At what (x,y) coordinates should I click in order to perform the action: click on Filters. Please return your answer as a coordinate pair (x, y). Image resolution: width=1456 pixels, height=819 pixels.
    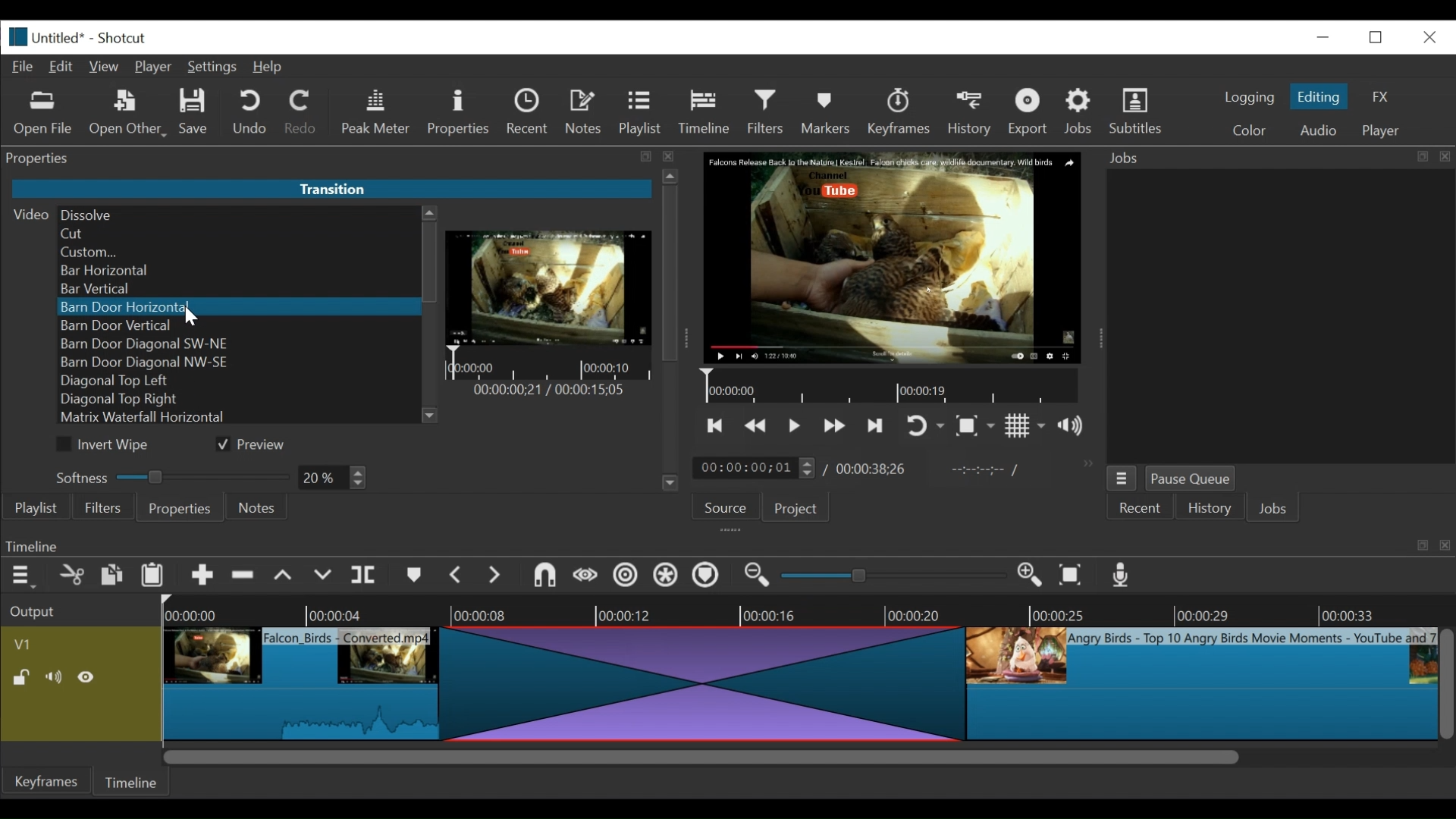
    Looking at the image, I should click on (104, 508).